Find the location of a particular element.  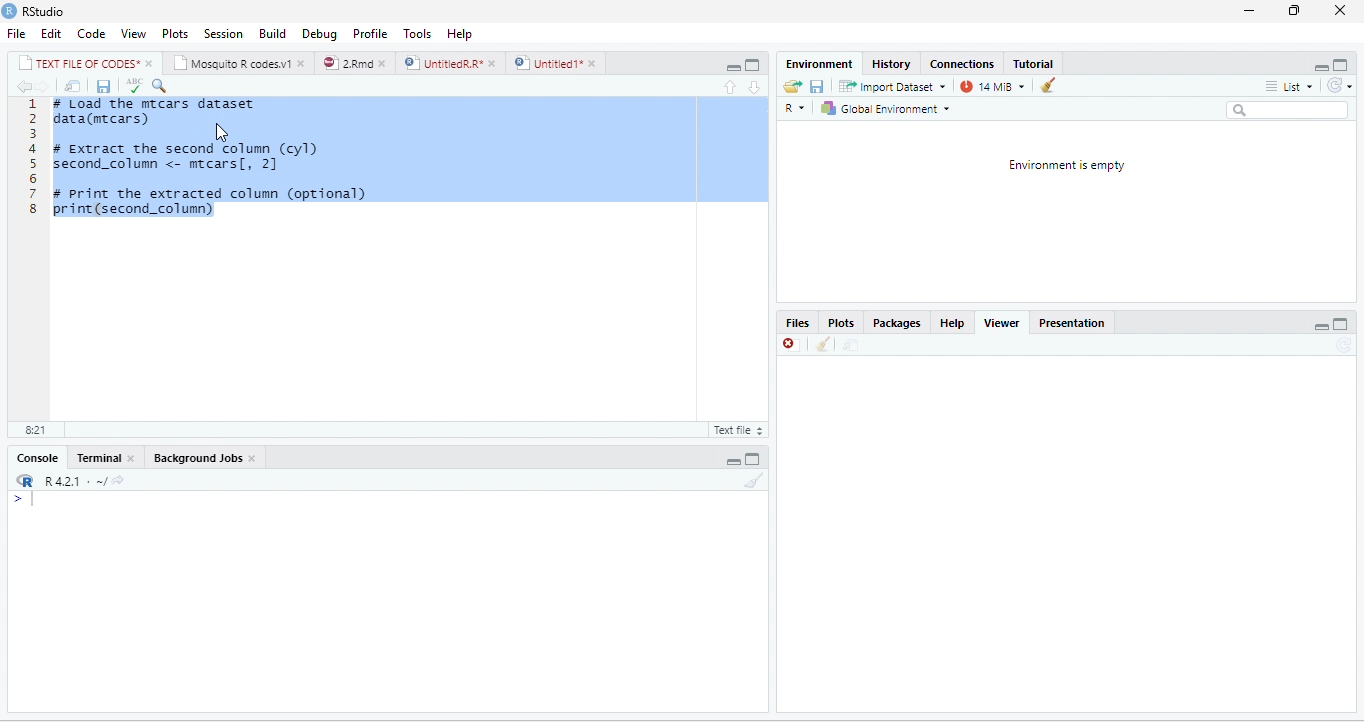

help is located at coordinates (952, 324).